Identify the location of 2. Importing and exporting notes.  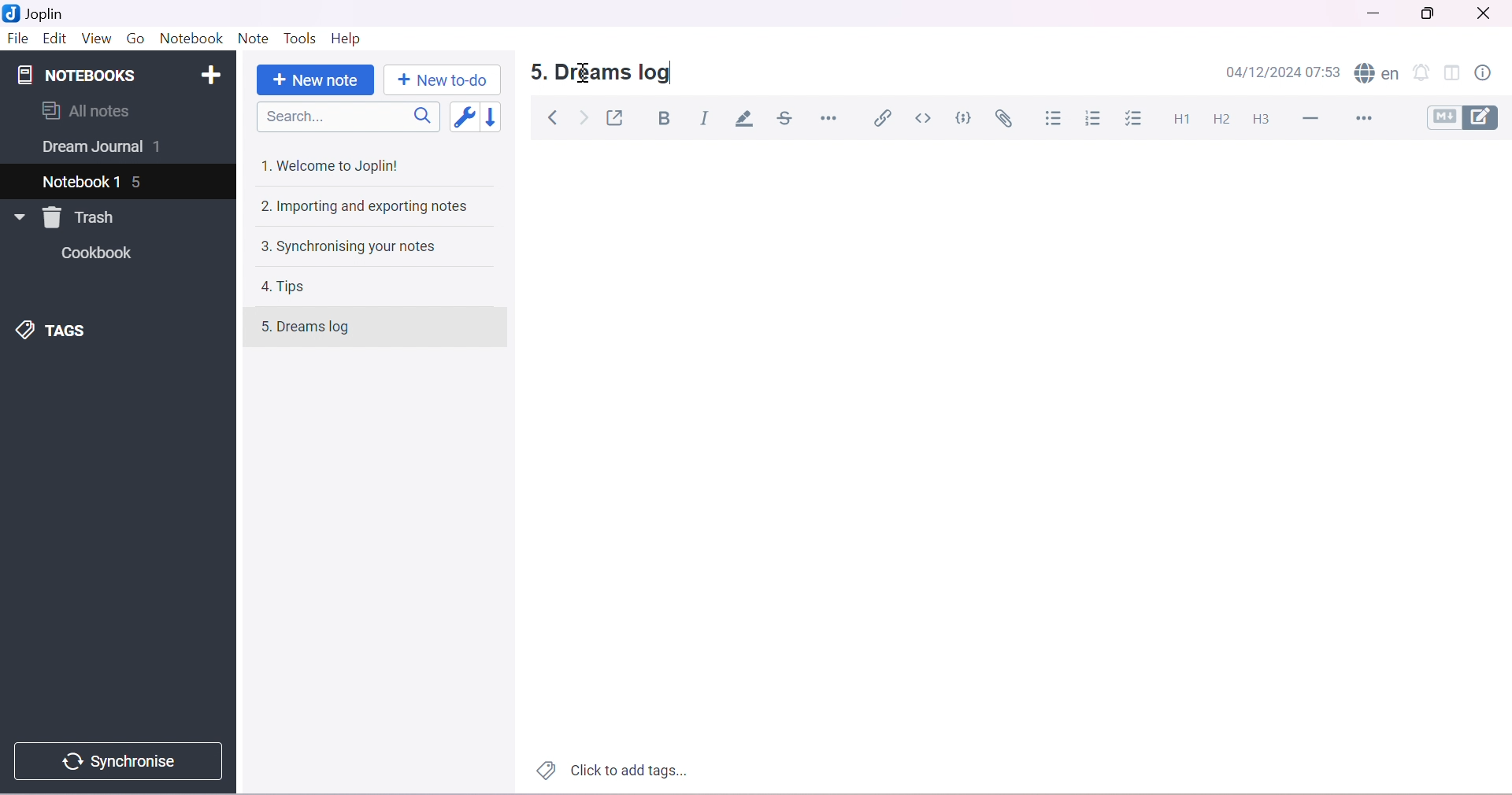
(367, 208).